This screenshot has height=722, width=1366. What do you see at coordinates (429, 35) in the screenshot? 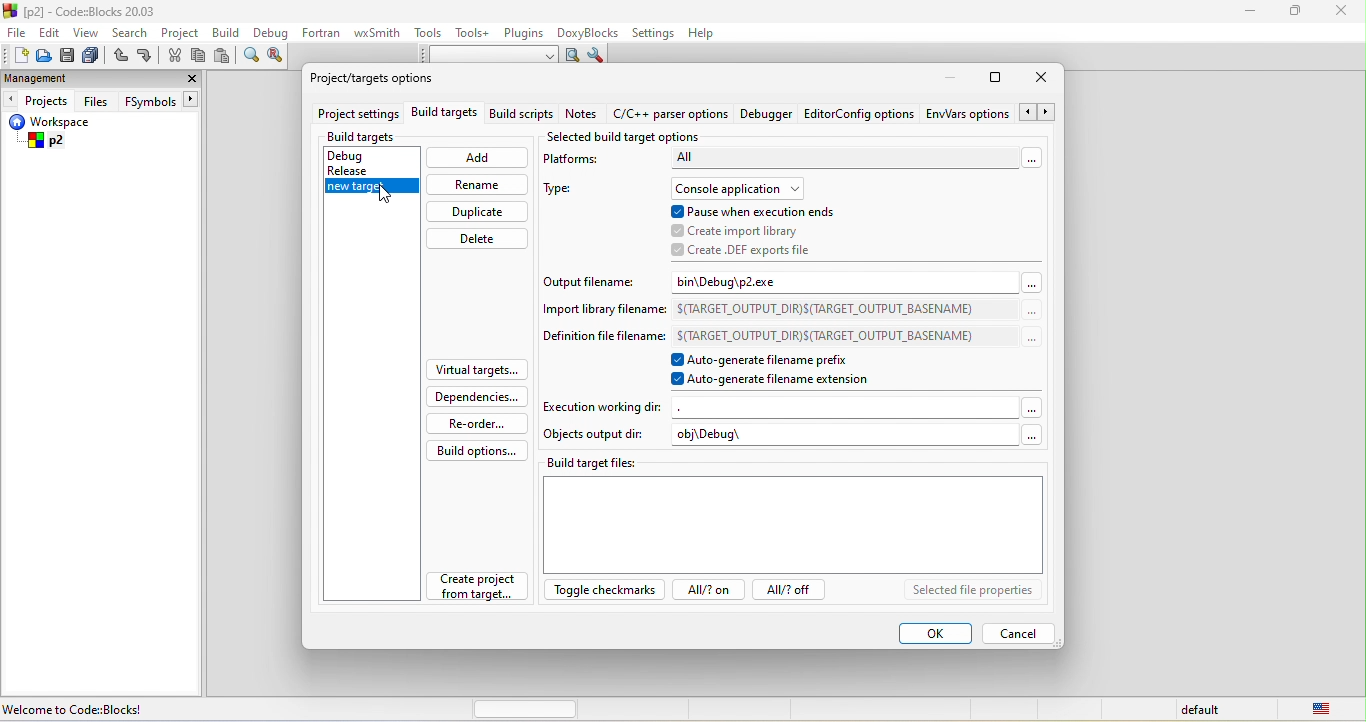
I see `tools` at bounding box center [429, 35].